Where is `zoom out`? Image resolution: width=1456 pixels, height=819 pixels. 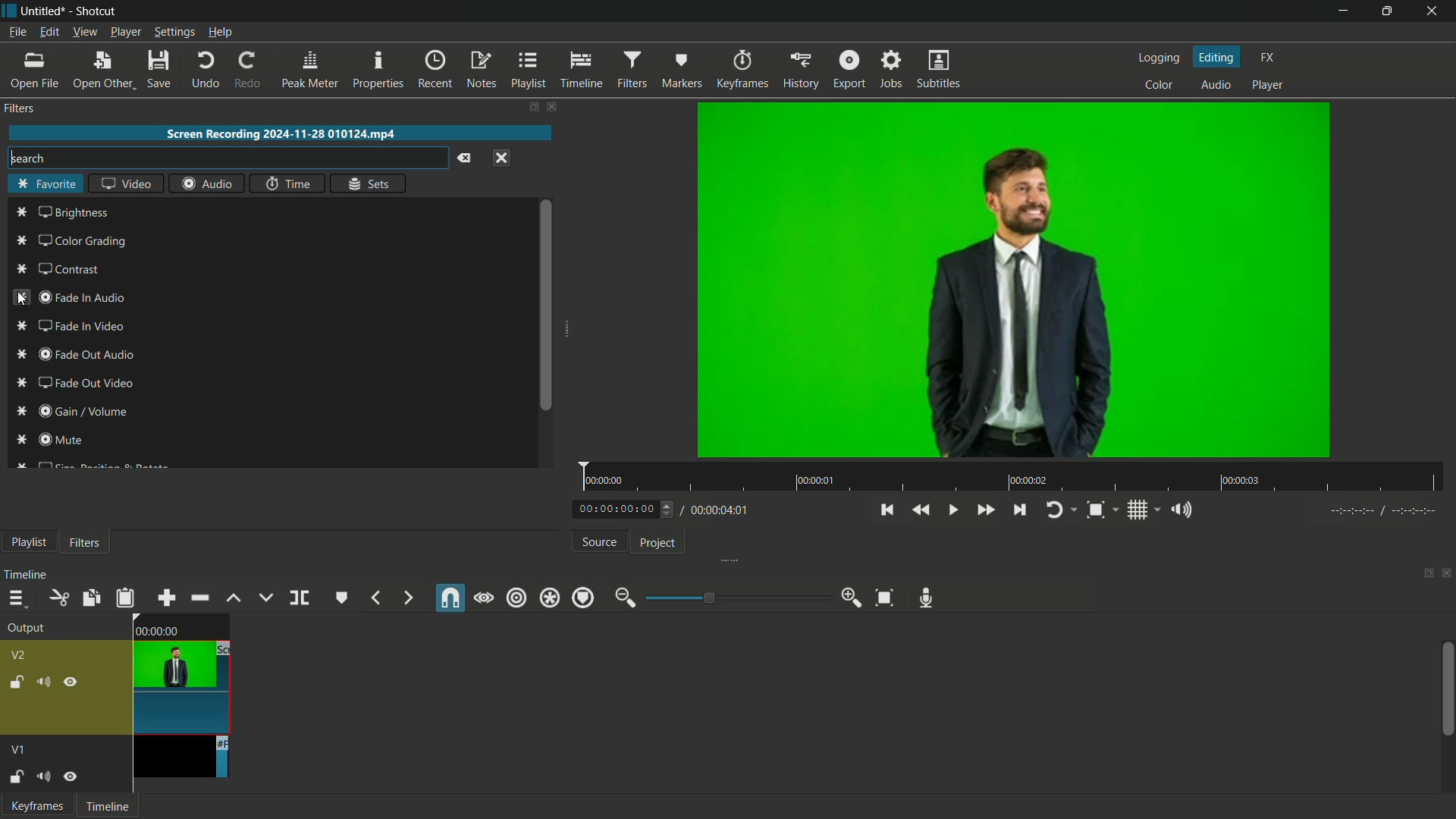
zoom out is located at coordinates (624, 598).